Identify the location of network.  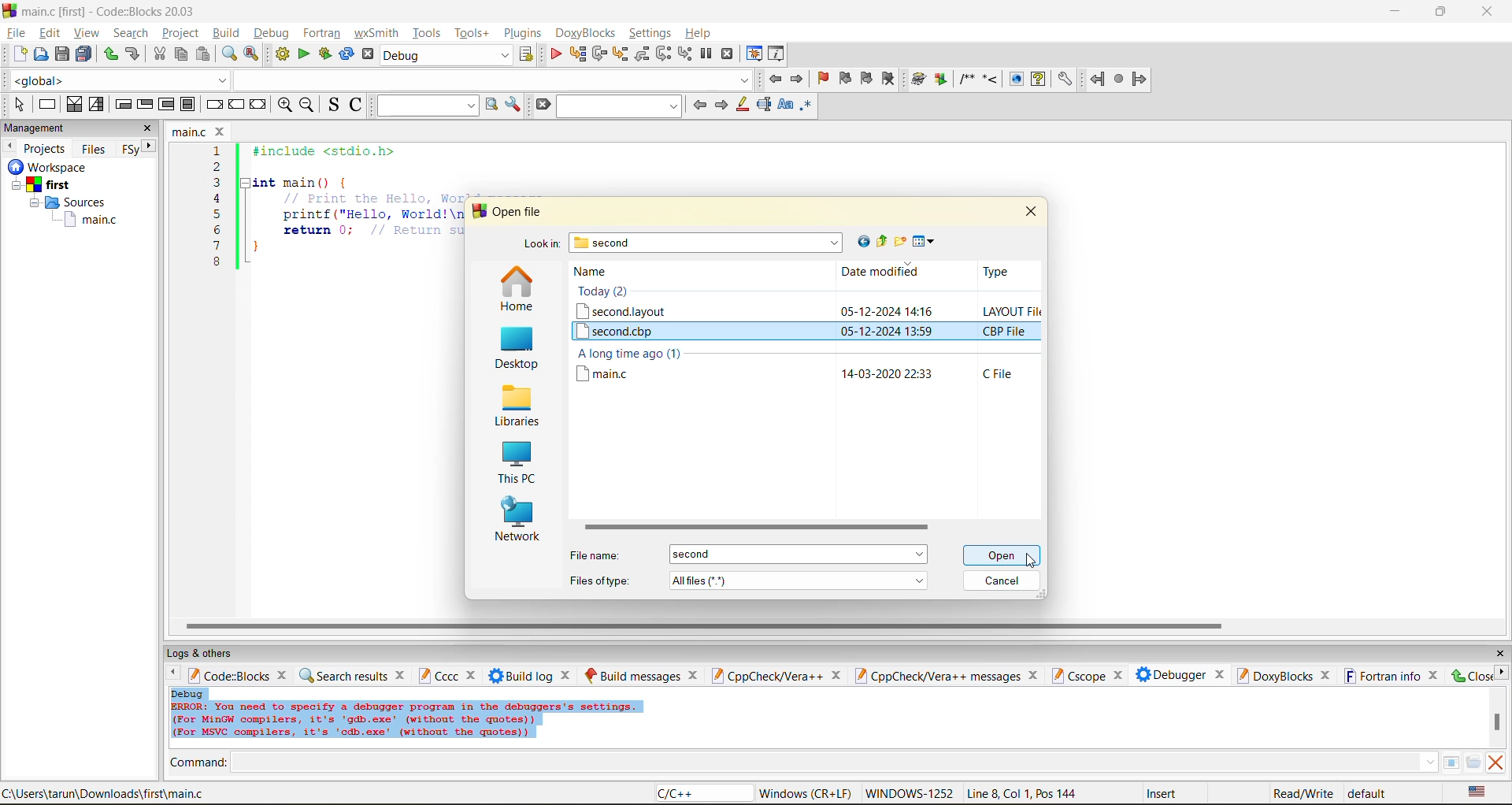
(518, 521).